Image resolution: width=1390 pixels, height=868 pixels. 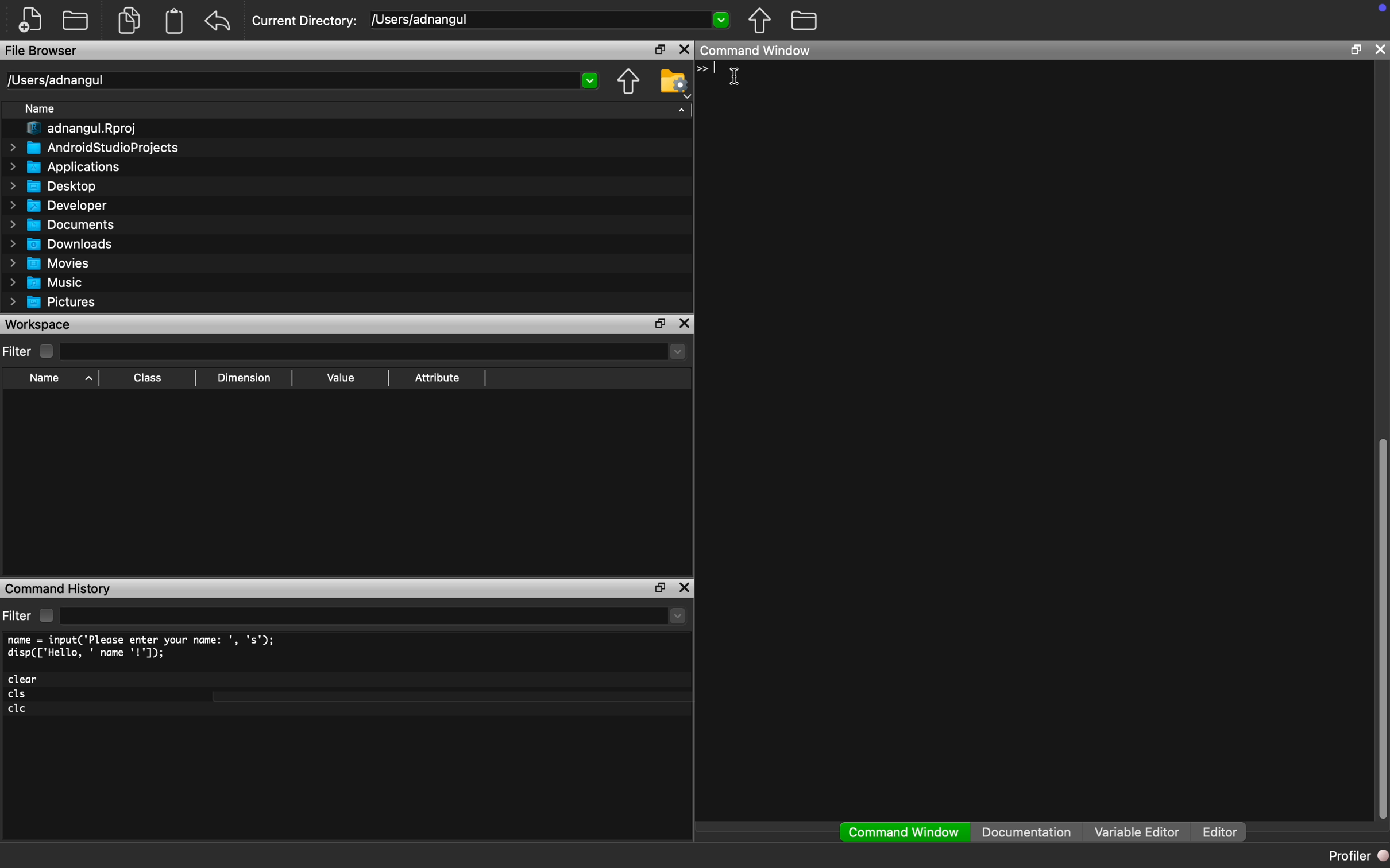 What do you see at coordinates (684, 323) in the screenshot?
I see `close` at bounding box center [684, 323].